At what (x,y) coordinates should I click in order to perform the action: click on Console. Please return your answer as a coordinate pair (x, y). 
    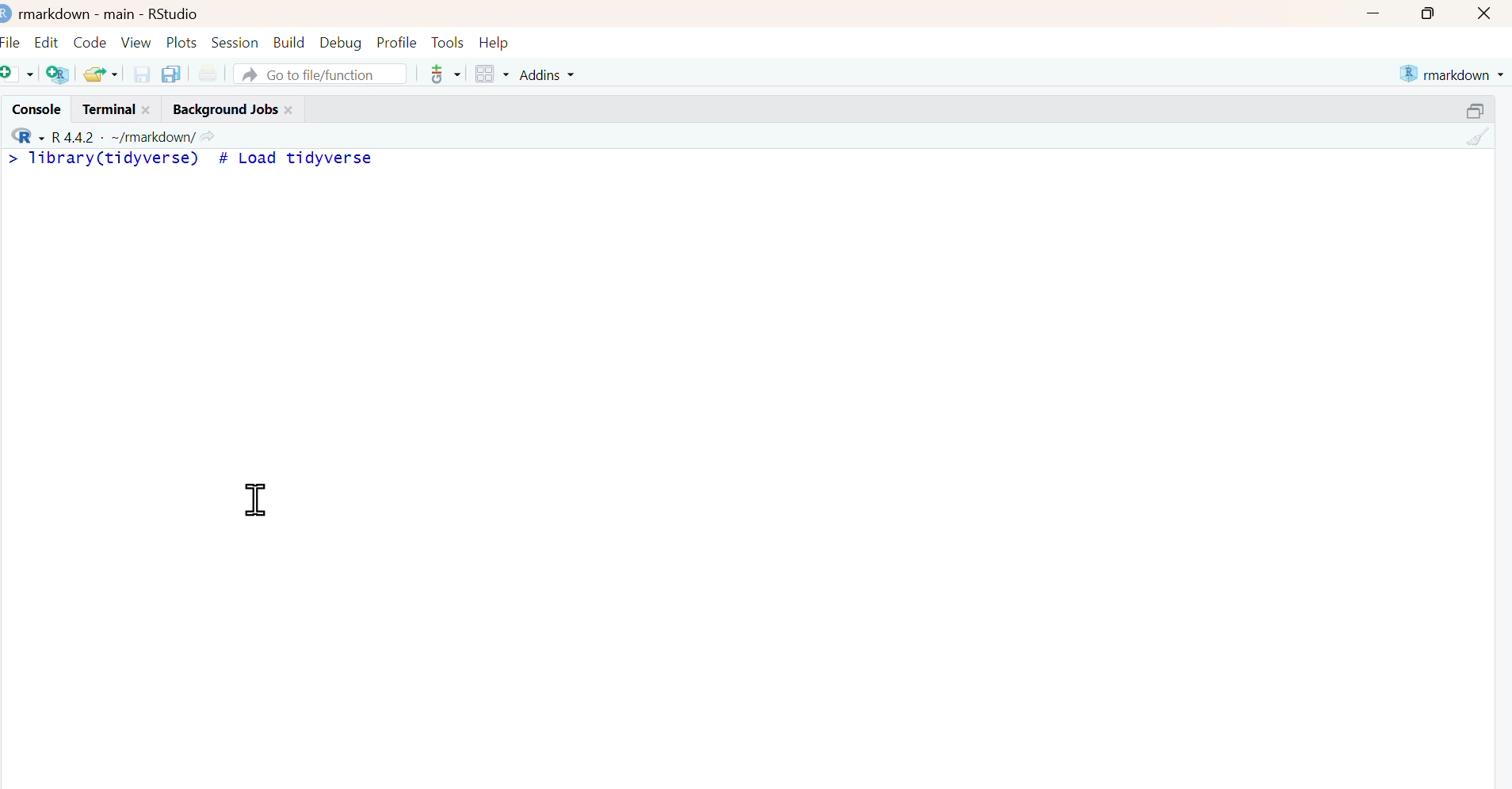
    Looking at the image, I should click on (33, 109).